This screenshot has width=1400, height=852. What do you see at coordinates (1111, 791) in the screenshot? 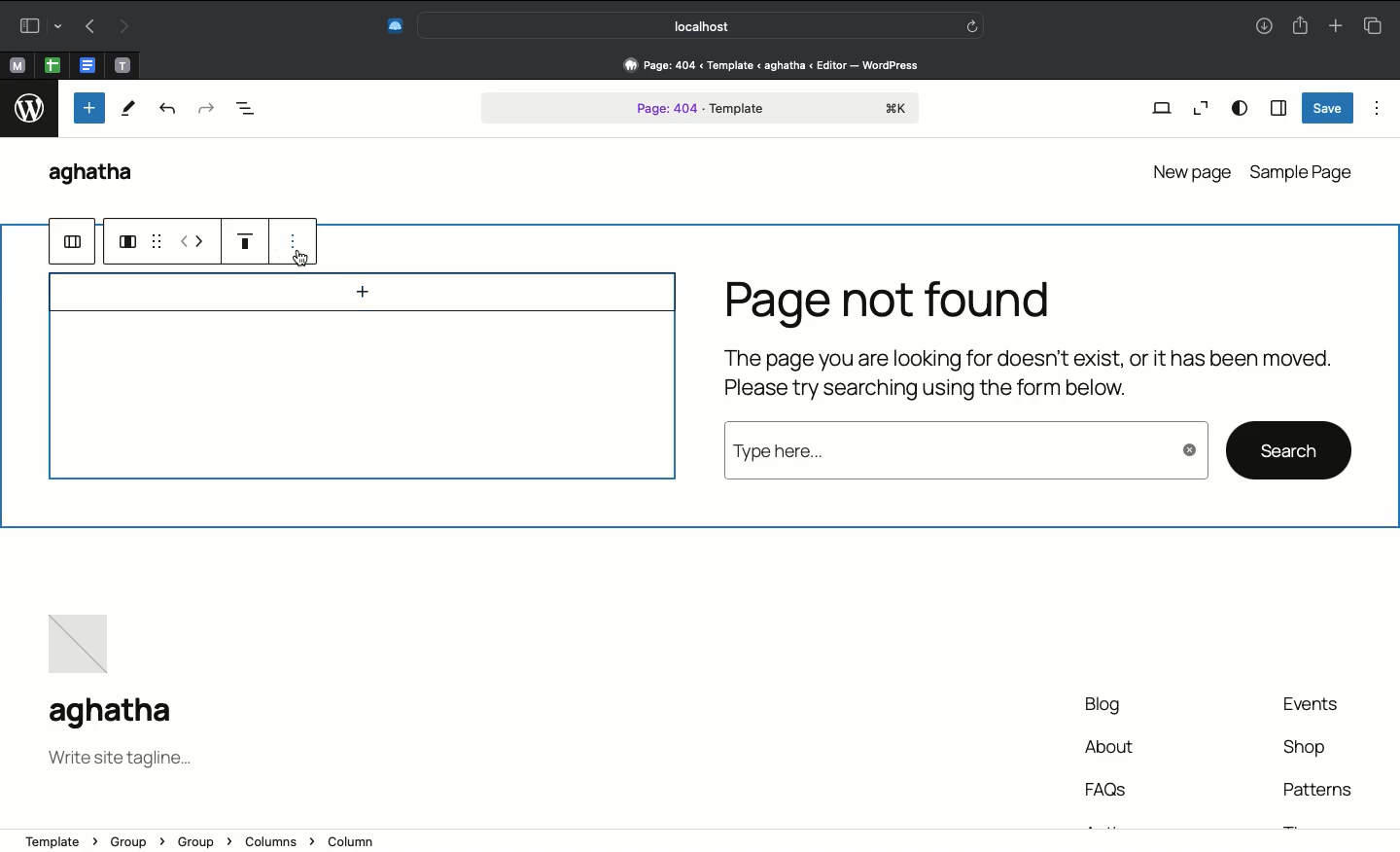
I see `FAQs` at bounding box center [1111, 791].